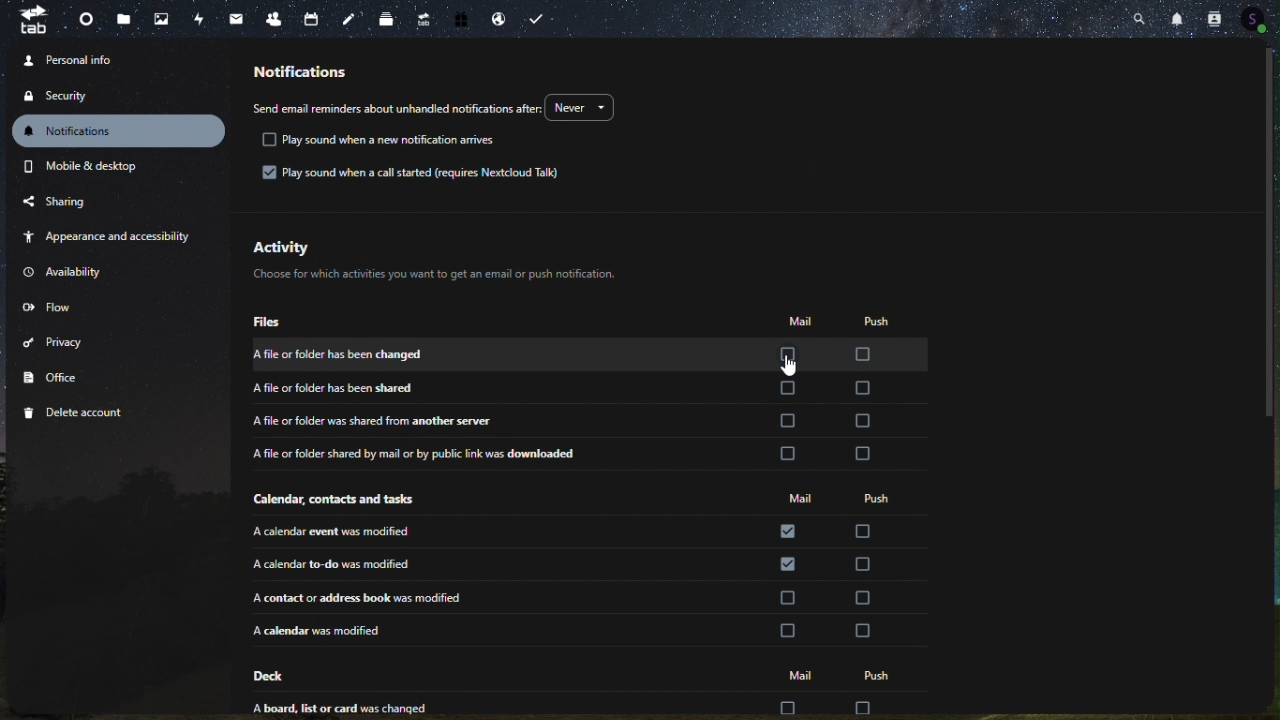 This screenshot has width=1280, height=720. What do you see at coordinates (421, 453) in the screenshot?
I see `a file or folder shred by mail` at bounding box center [421, 453].